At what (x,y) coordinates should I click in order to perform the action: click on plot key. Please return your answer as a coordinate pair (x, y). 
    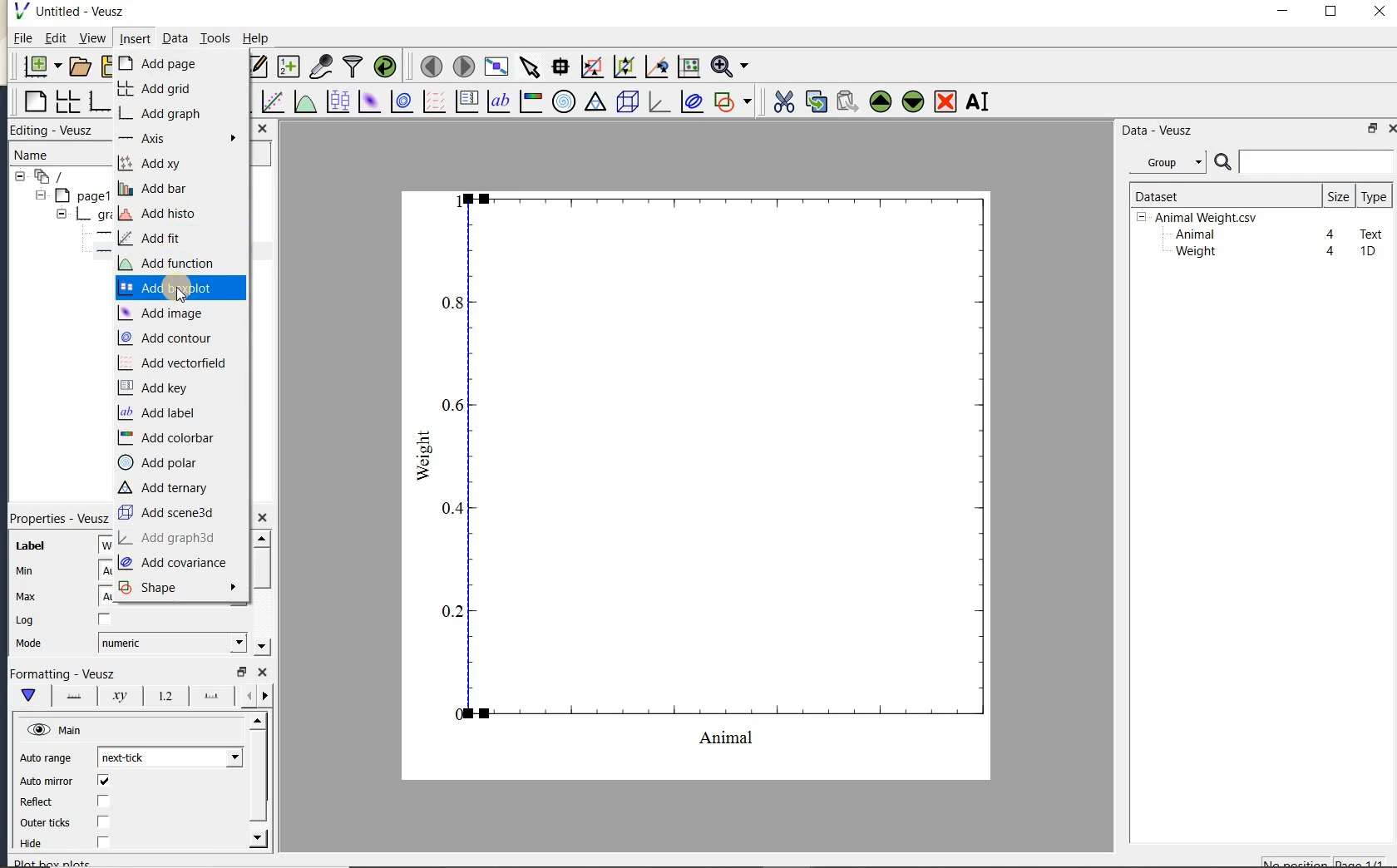
    Looking at the image, I should click on (465, 101).